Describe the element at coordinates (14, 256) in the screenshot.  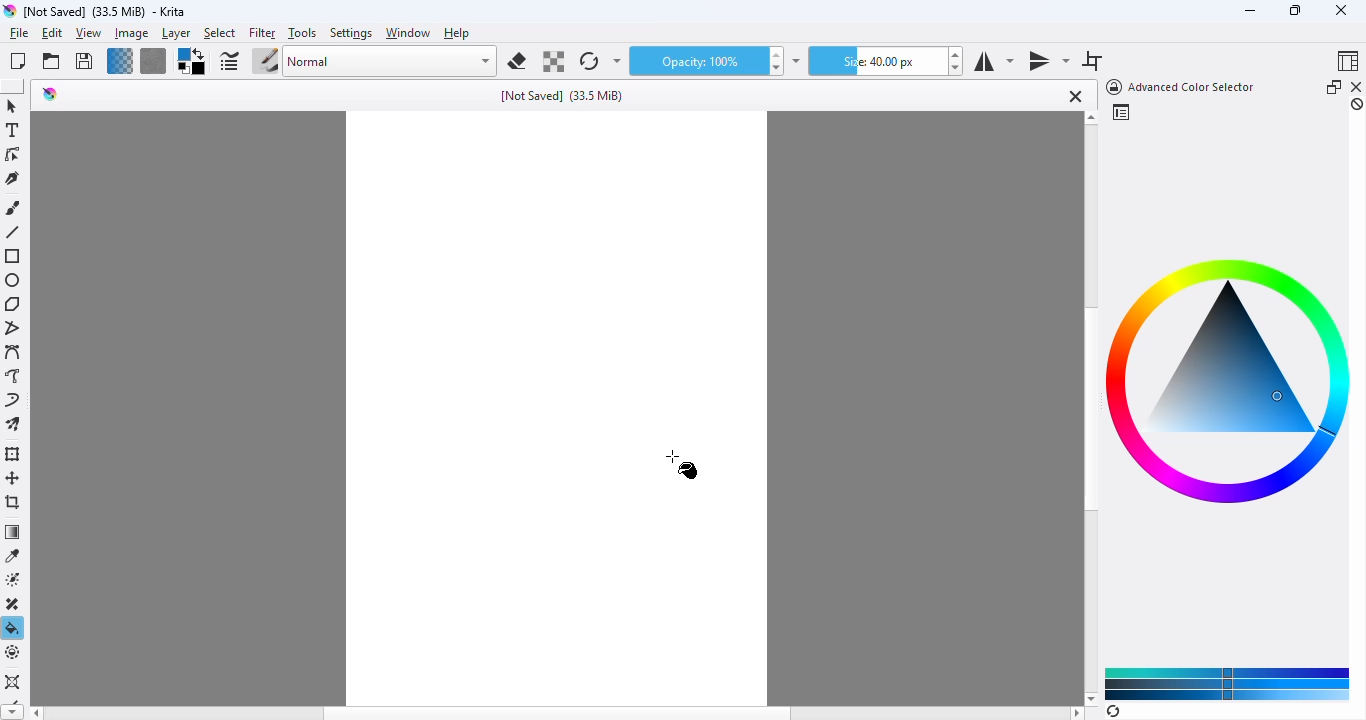
I see `rectangle tool` at that location.